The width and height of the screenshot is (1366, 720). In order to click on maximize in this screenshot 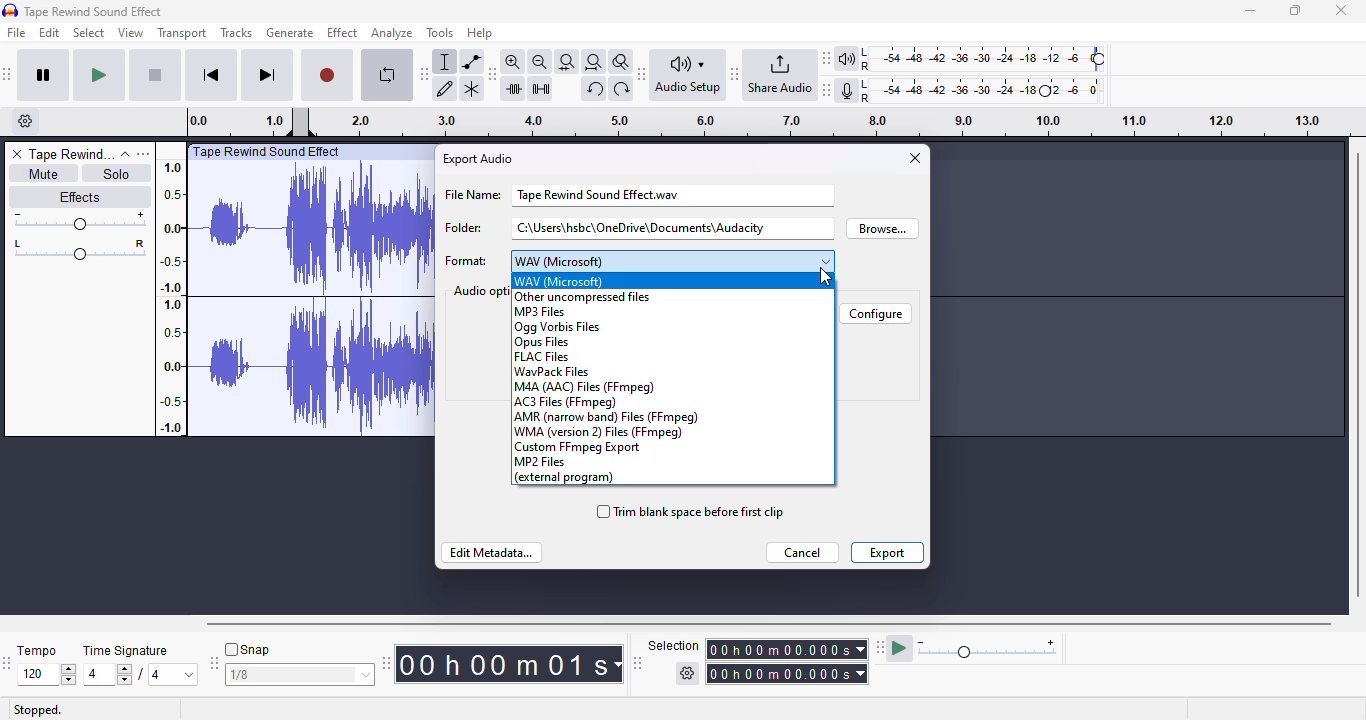, I will do `click(1297, 11)`.